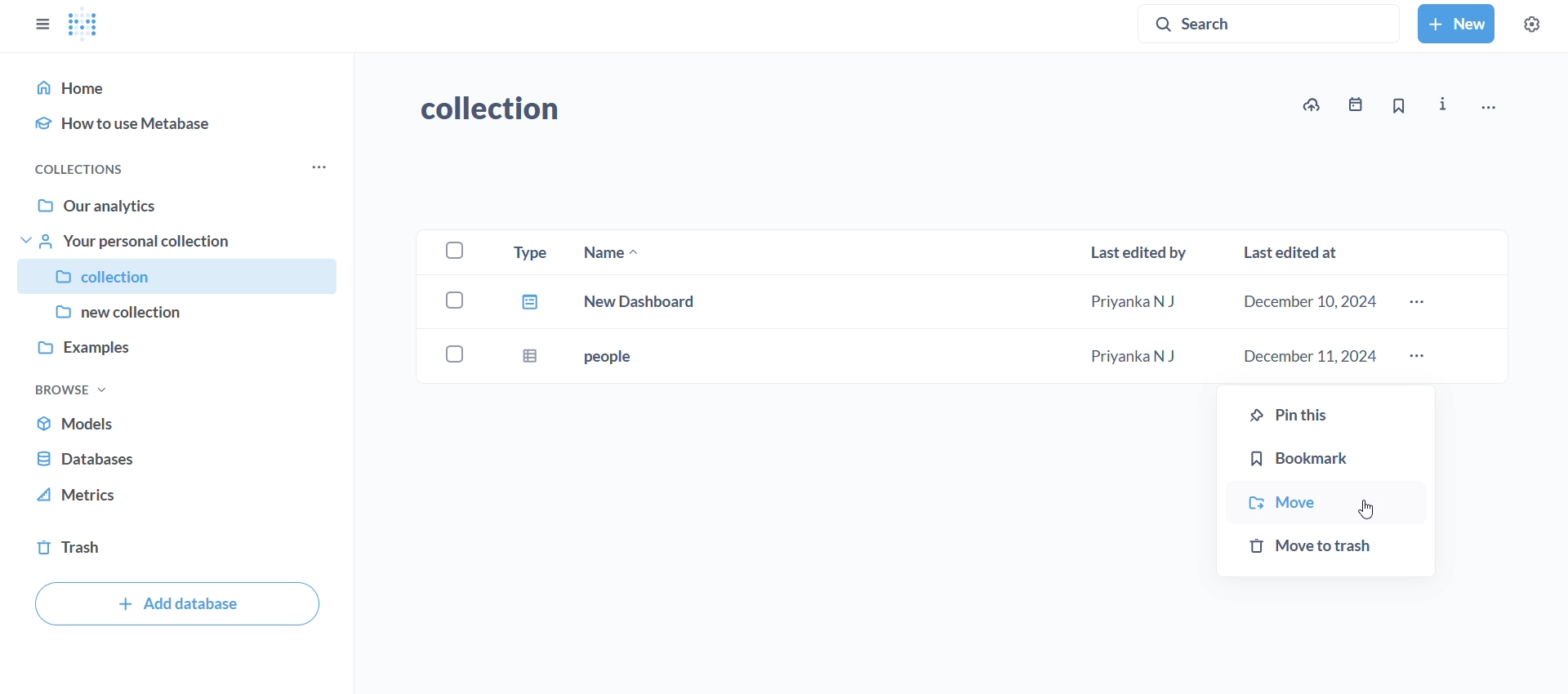 The height and width of the screenshot is (694, 1568). What do you see at coordinates (1351, 108) in the screenshot?
I see `events` at bounding box center [1351, 108].